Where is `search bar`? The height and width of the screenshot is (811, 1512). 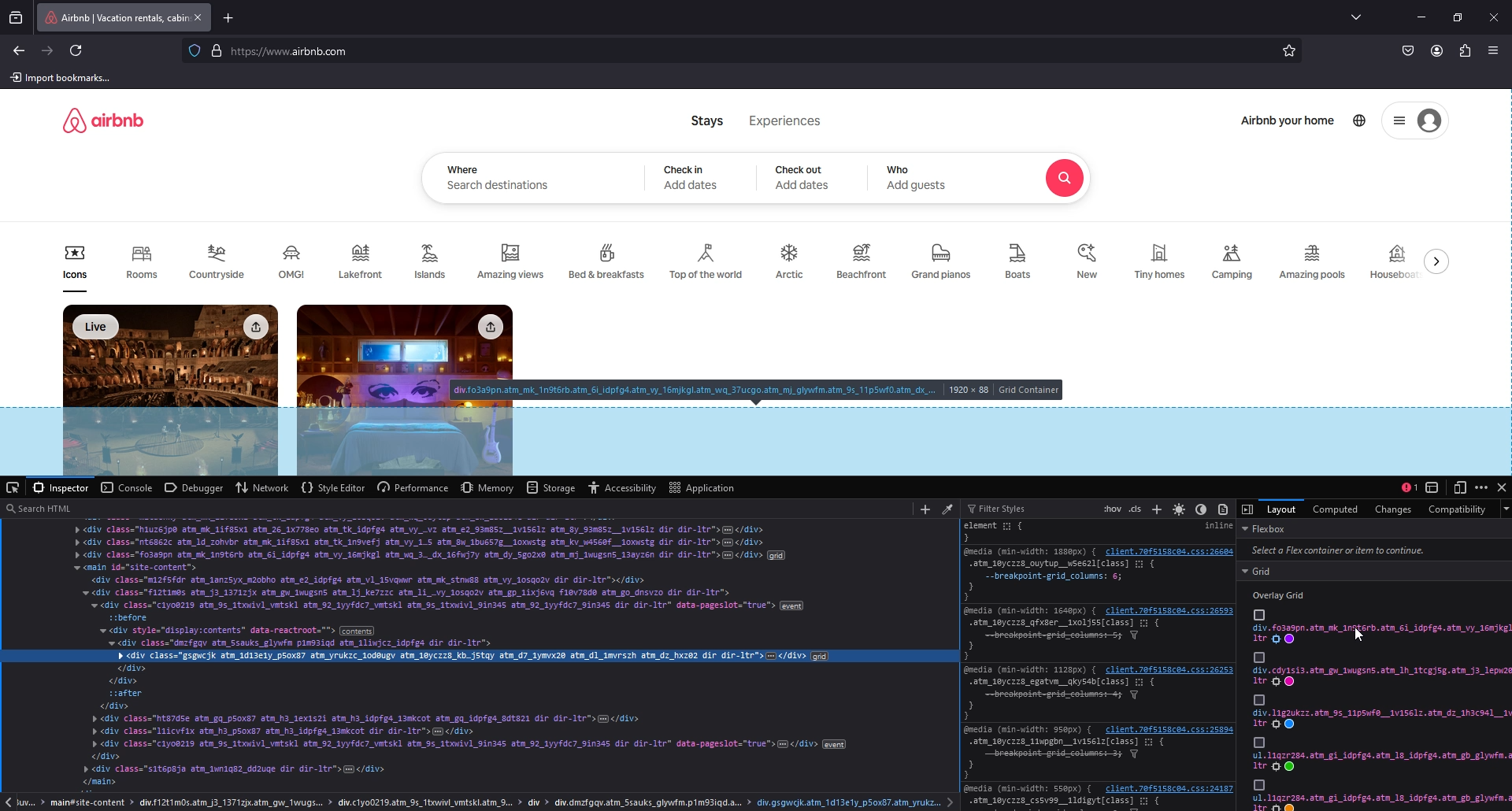
search bar is located at coordinates (737, 52).